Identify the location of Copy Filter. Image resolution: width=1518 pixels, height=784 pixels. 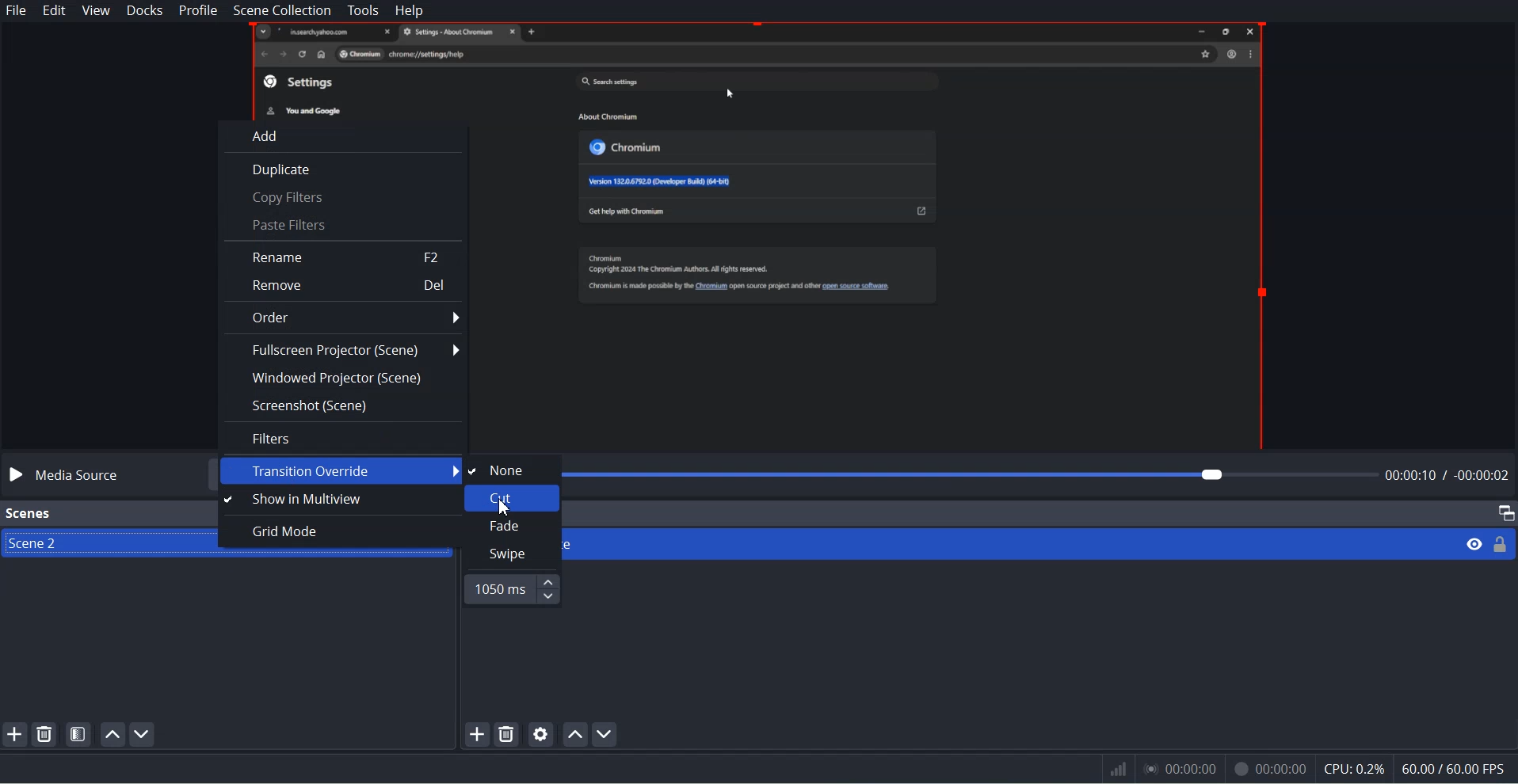
(342, 197).